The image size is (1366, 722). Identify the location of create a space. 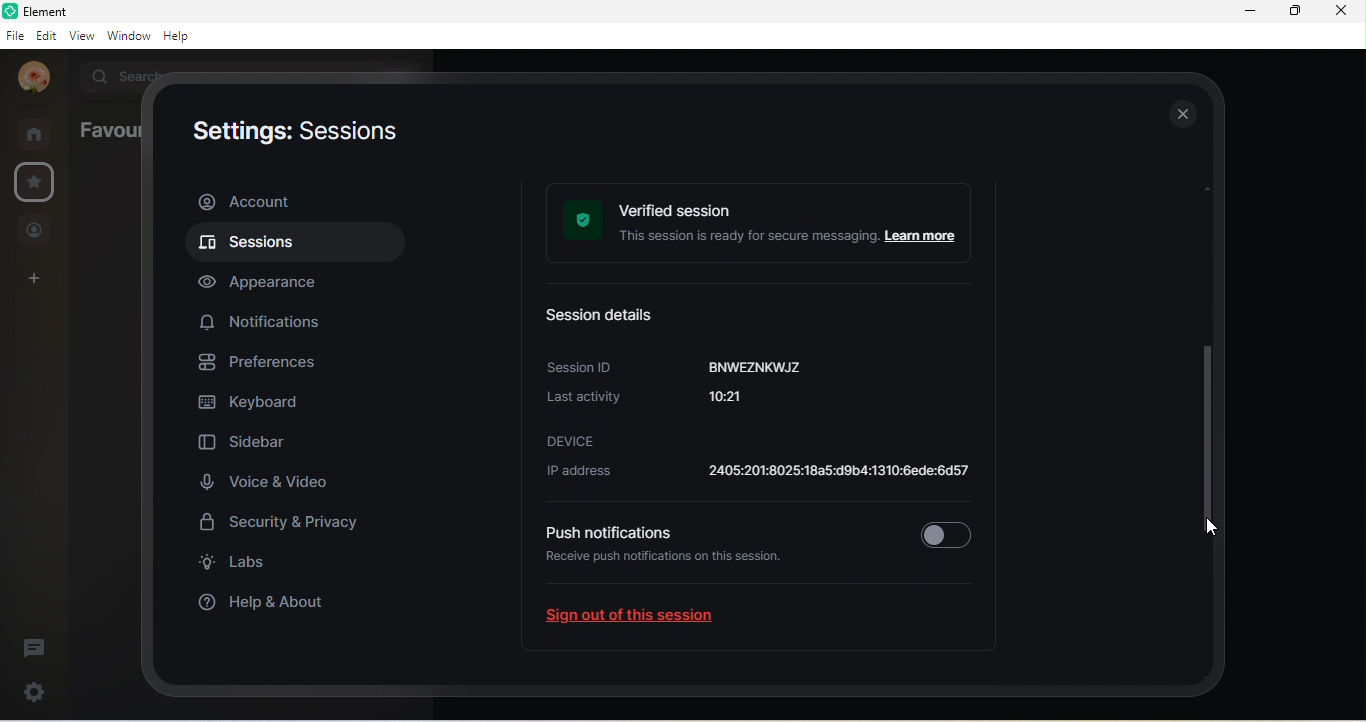
(38, 280).